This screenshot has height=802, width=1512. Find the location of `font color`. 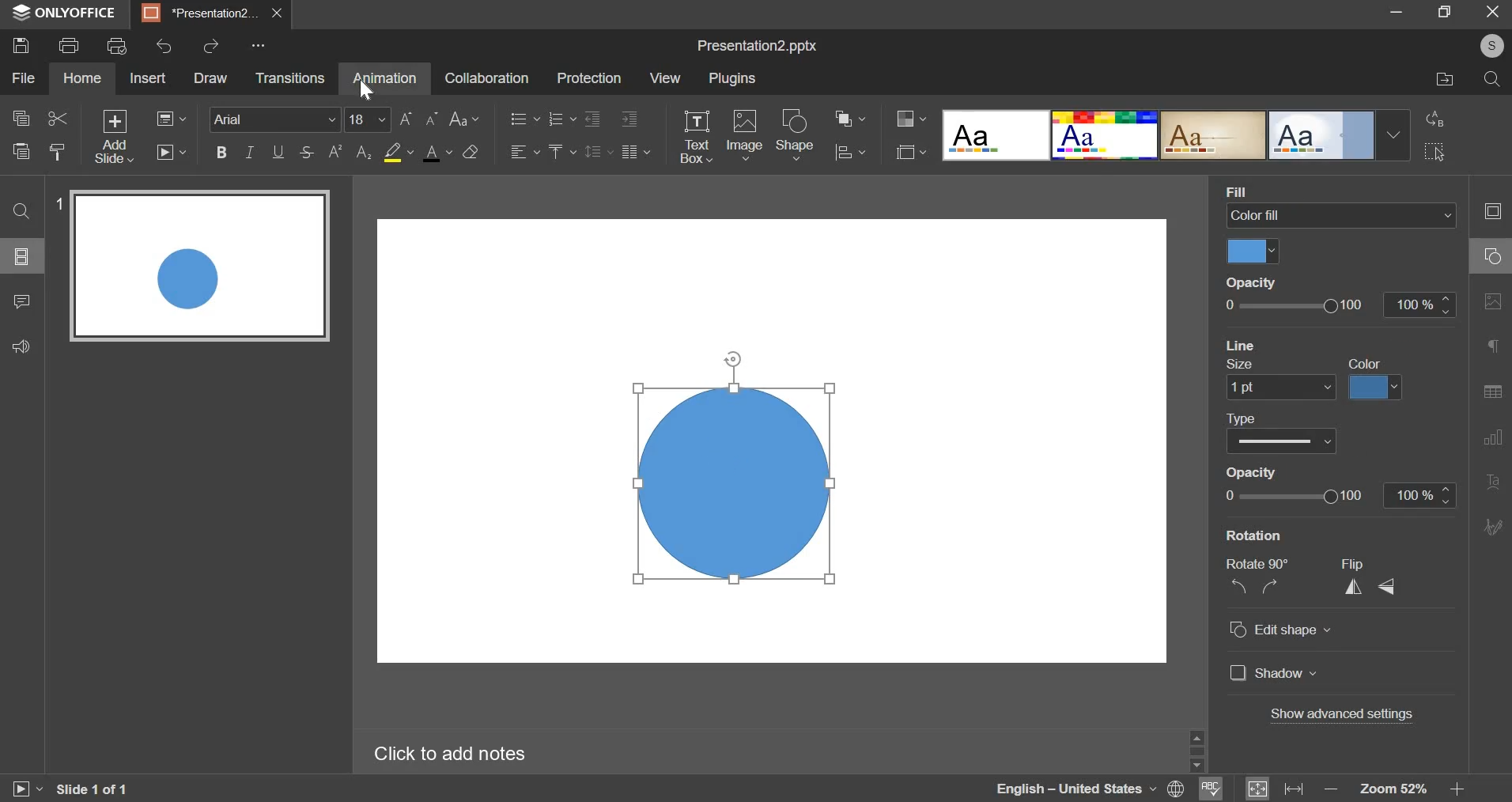

font color is located at coordinates (437, 153).